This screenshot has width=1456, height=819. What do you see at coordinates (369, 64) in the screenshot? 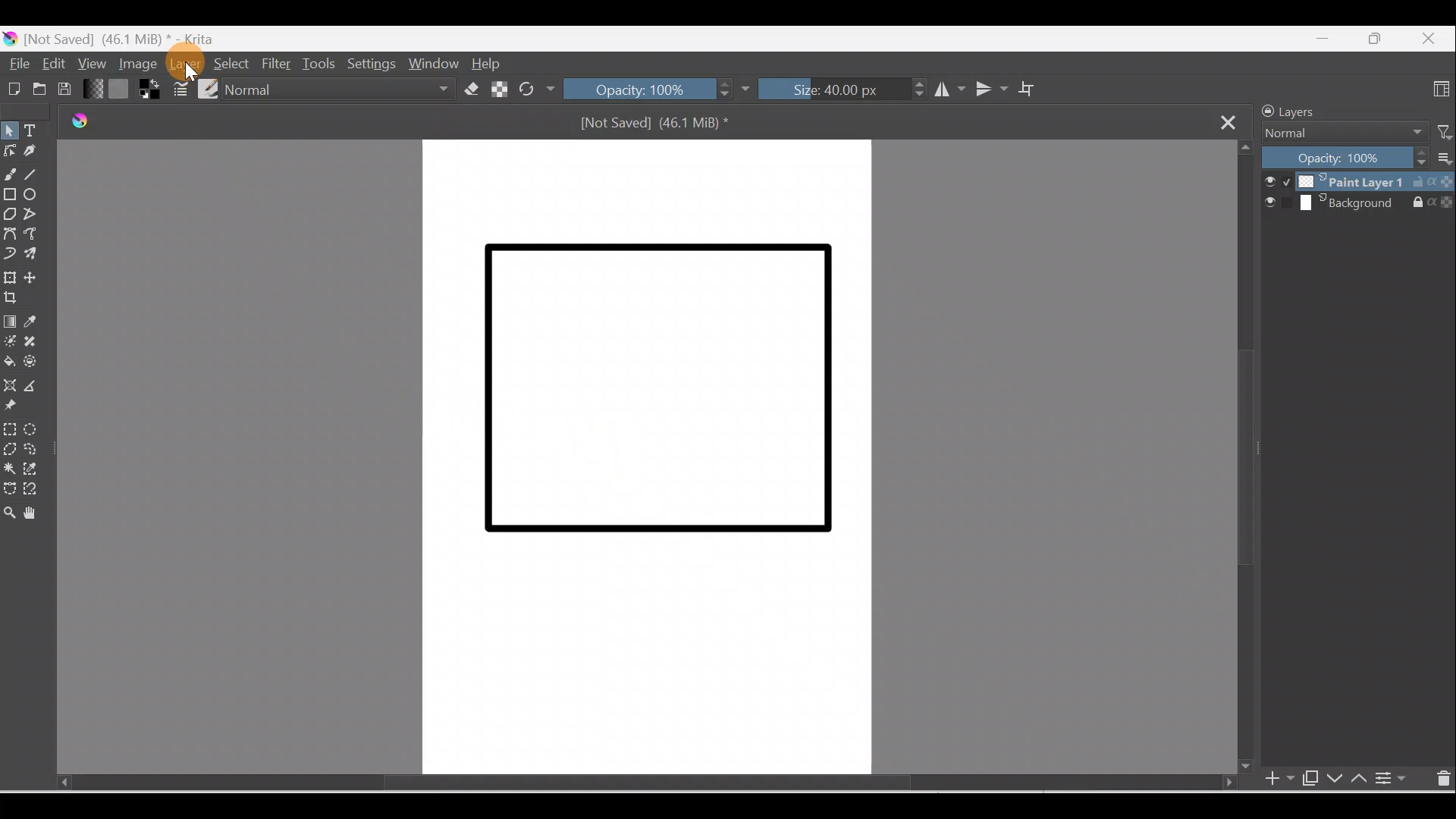
I see `Settings` at bounding box center [369, 64].